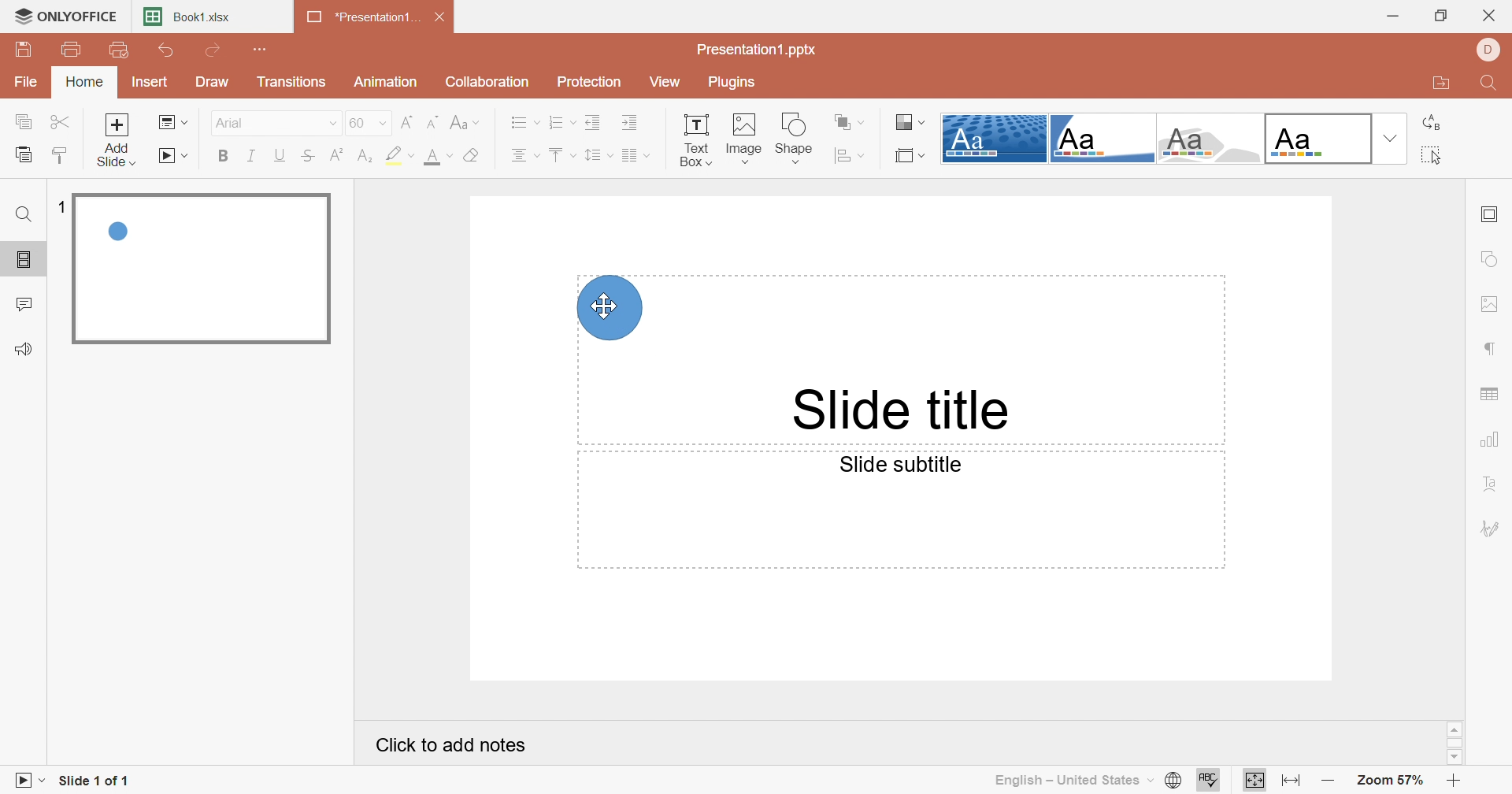 This screenshot has width=1512, height=794. What do you see at coordinates (1497, 487) in the screenshot?
I see `Text art settings` at bounding box center [1497, 487].